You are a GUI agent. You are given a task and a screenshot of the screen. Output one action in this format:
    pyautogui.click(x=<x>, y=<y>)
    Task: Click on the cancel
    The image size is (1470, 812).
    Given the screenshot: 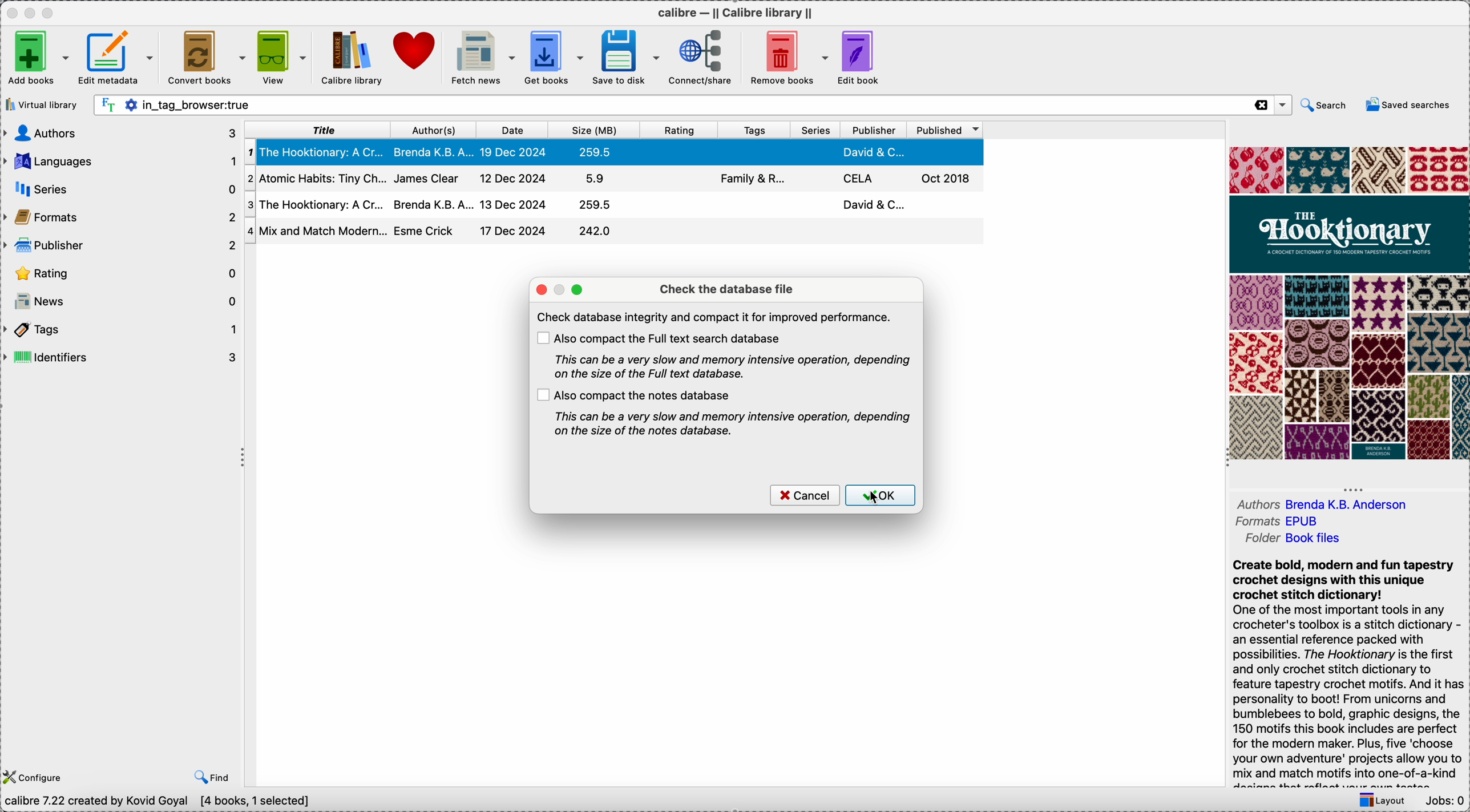 What is the action you would take?
    pyautogui.click(x=805, y=496)
    